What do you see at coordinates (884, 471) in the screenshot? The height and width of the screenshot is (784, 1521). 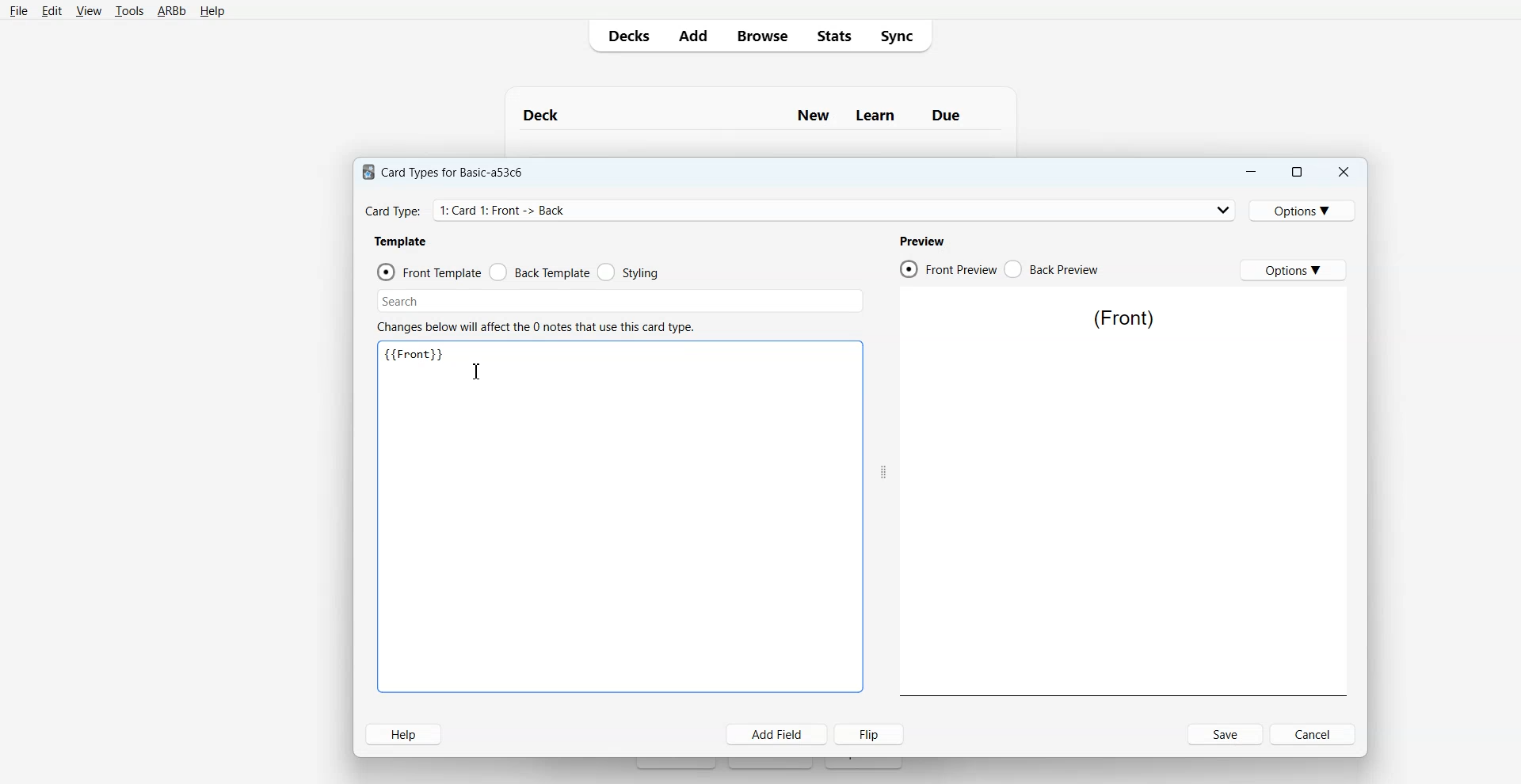 I see `Drag Handle` at bounding box center [884, 471].